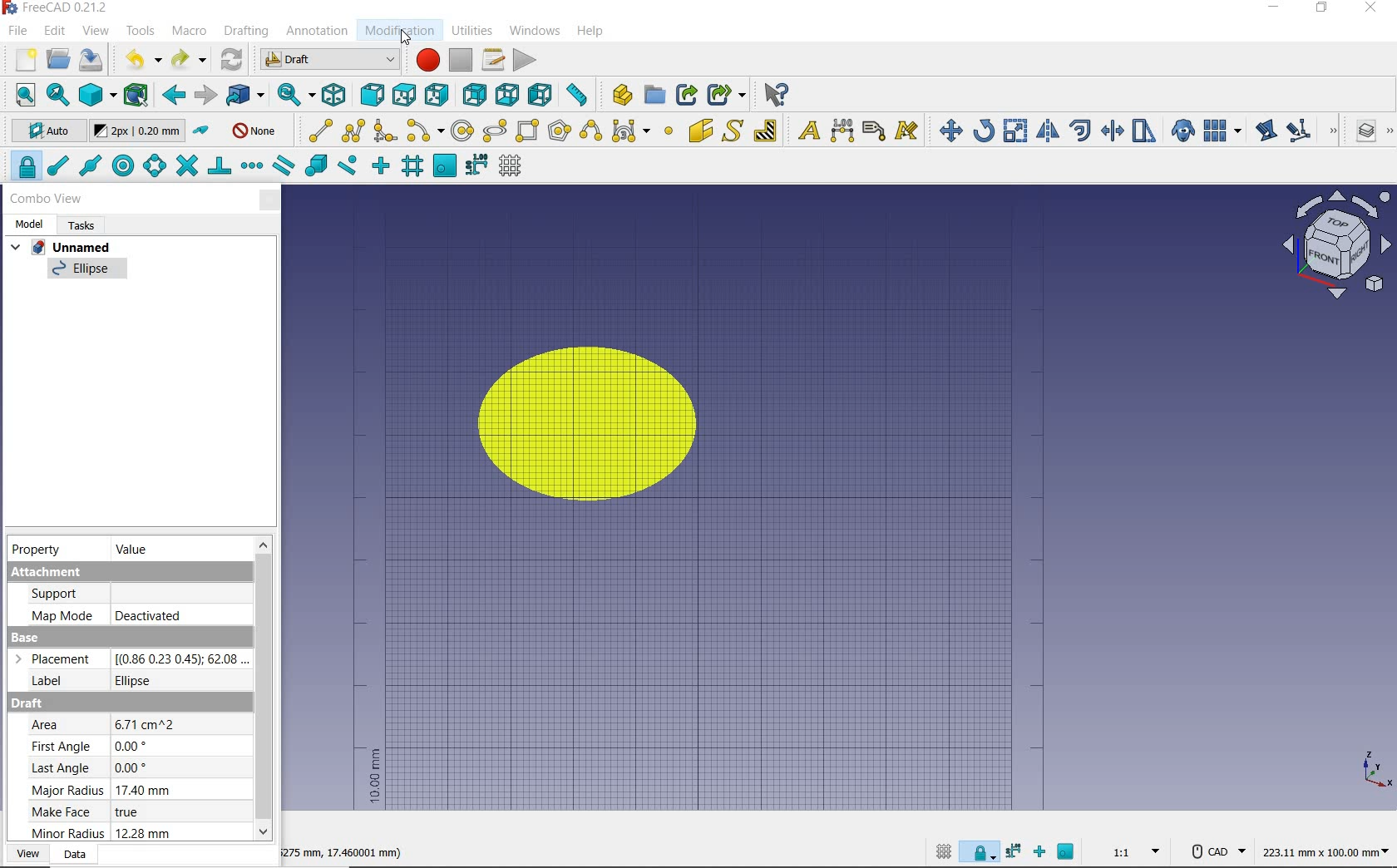 This screenshot has height=868, width=1397. What do you see at coordinates (56, 32) in the screenshot?
I see `edit` at bounding box center [56, 32].